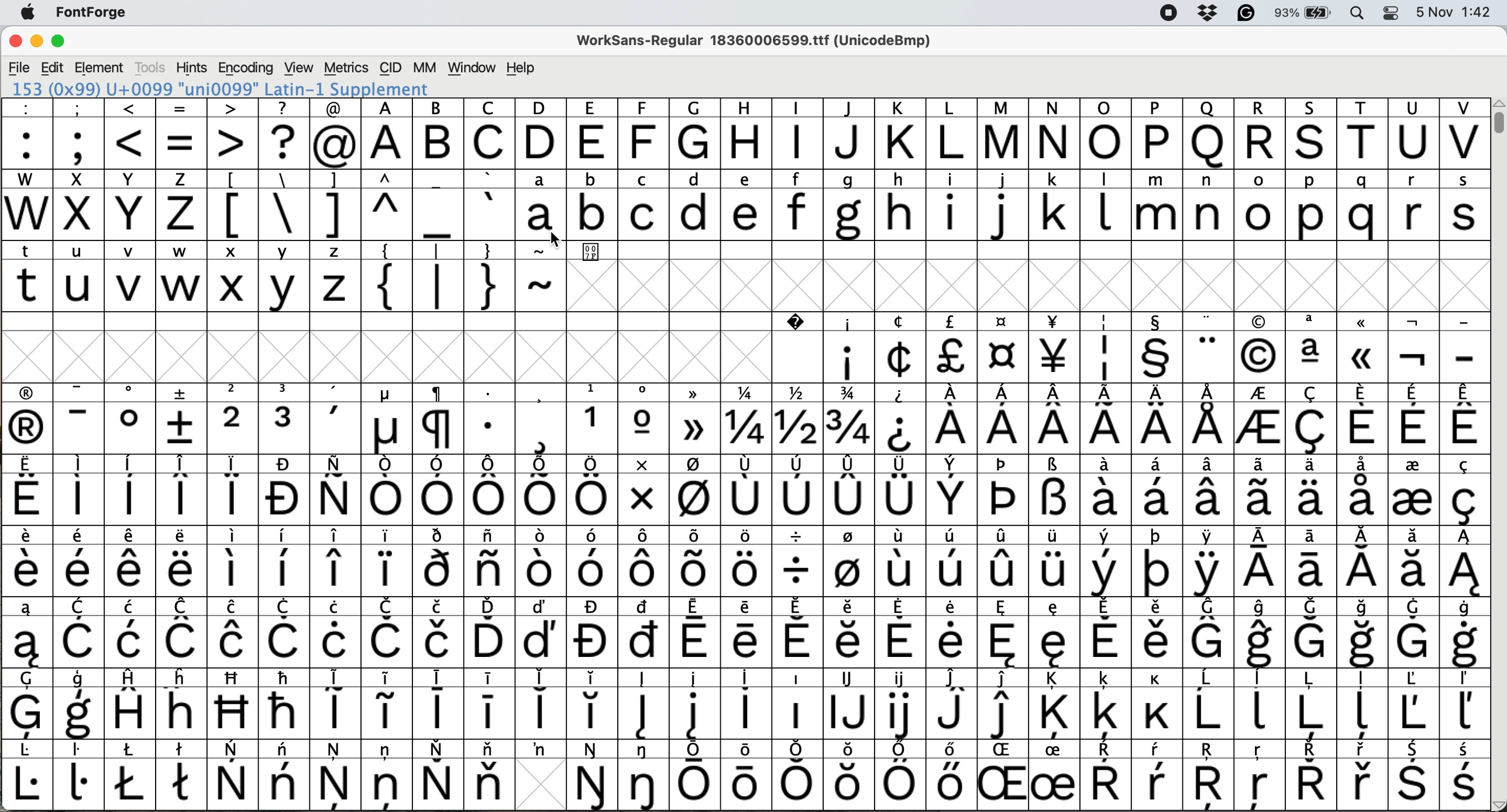 The width and height of the screenshot is (1507, 812). I want to click on symbol, so click(1262, 490).